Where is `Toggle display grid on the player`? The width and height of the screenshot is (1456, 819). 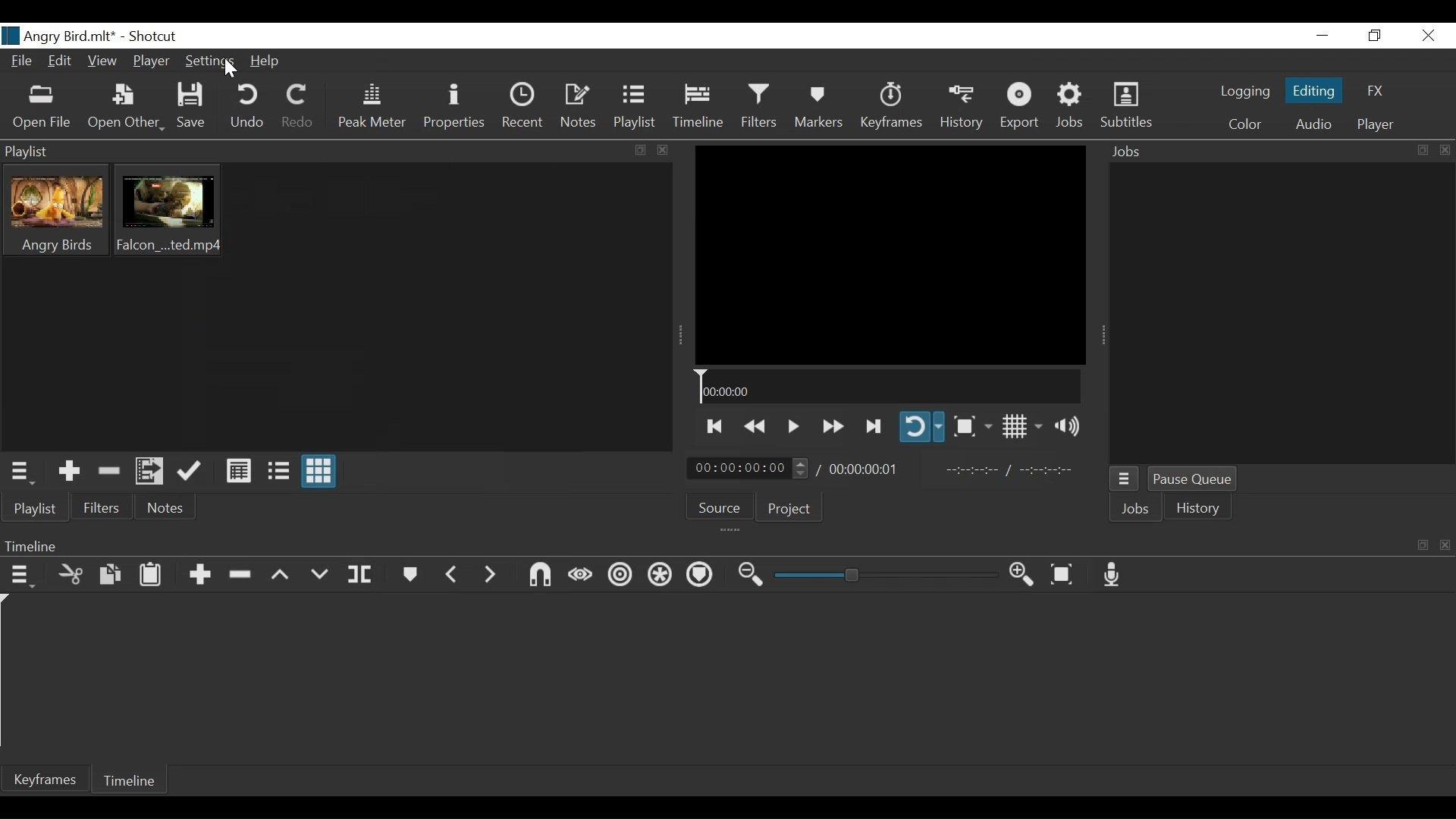
Toggle display grid on the player is located at coordinates (1022, 427).